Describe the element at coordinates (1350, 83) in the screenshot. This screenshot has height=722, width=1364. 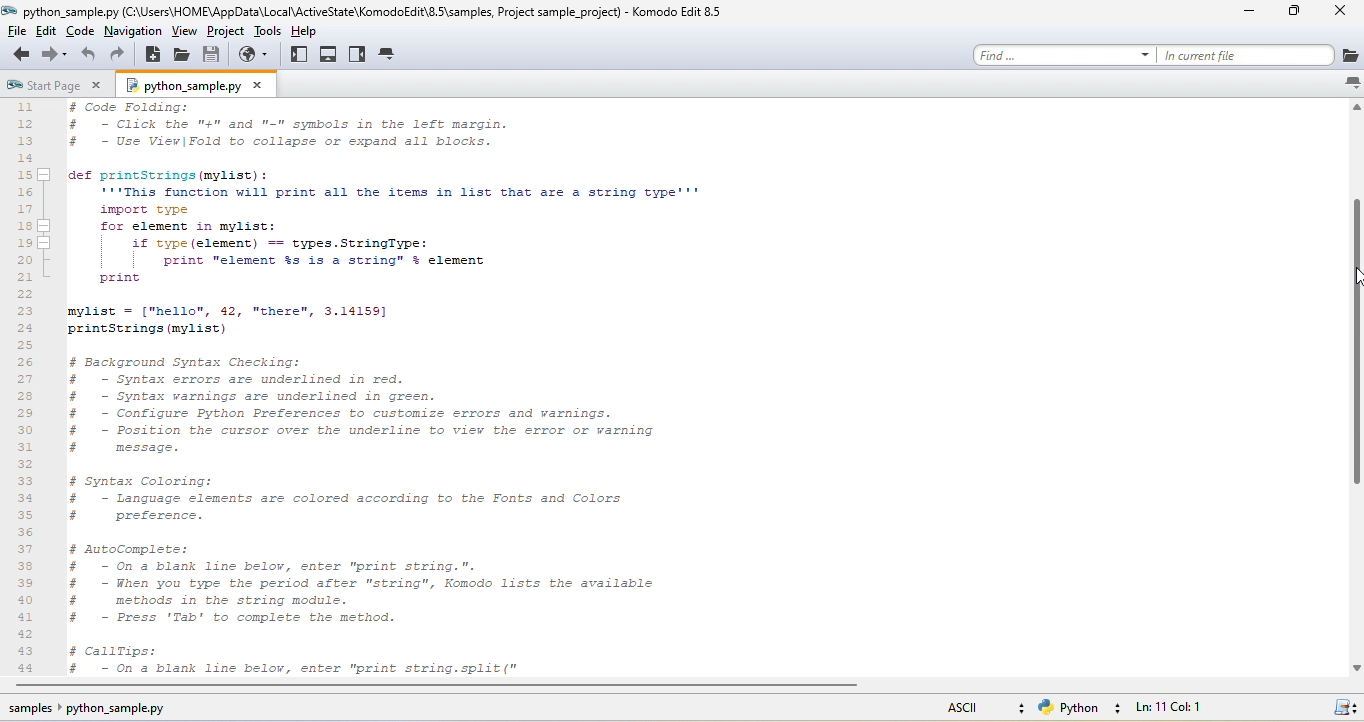
I see `list all tabs` at that location.